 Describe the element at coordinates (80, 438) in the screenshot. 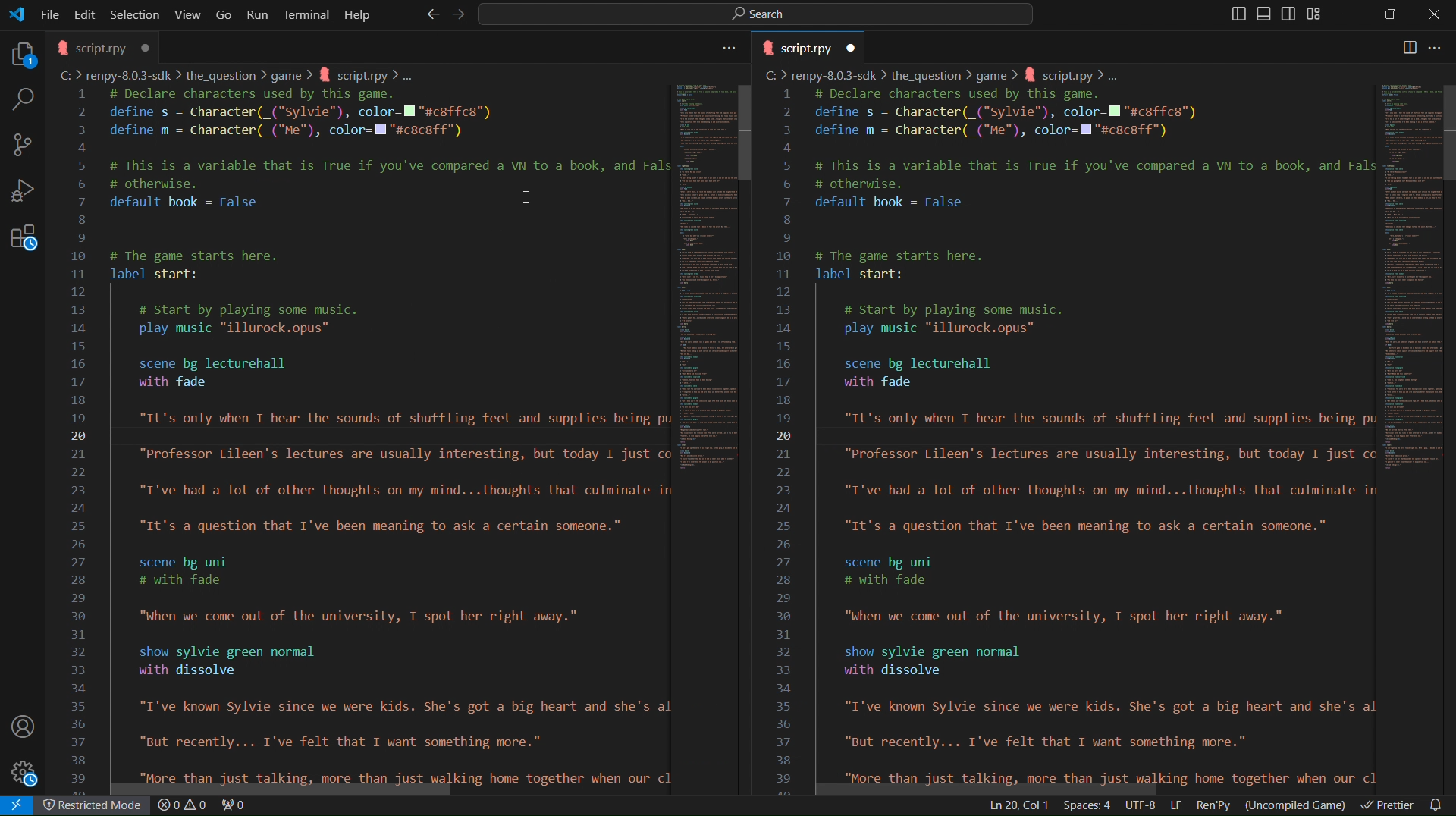

I see `line numbering` at that location.